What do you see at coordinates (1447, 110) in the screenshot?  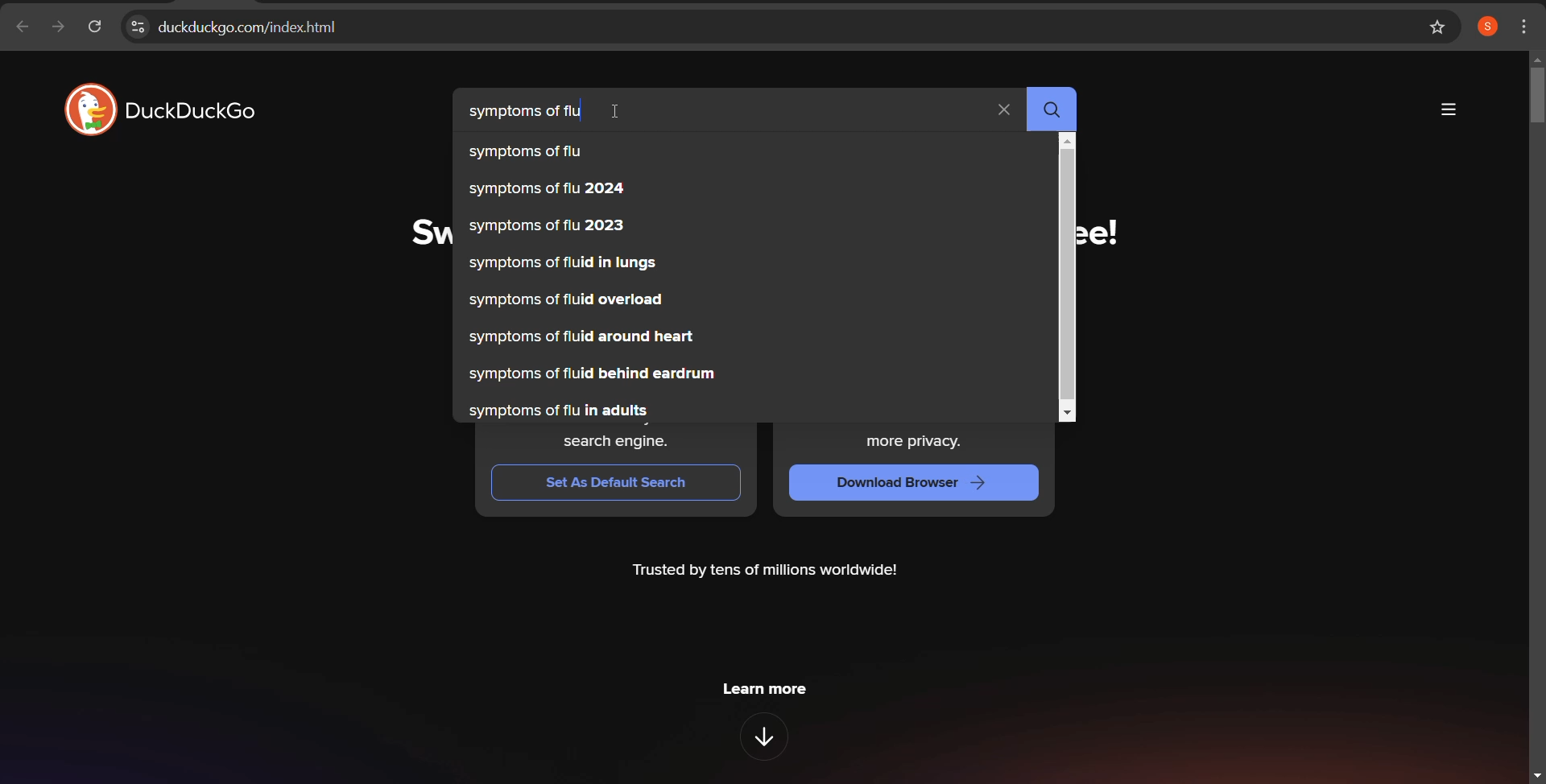 I see `more options` at bounding box center [1447, 110].